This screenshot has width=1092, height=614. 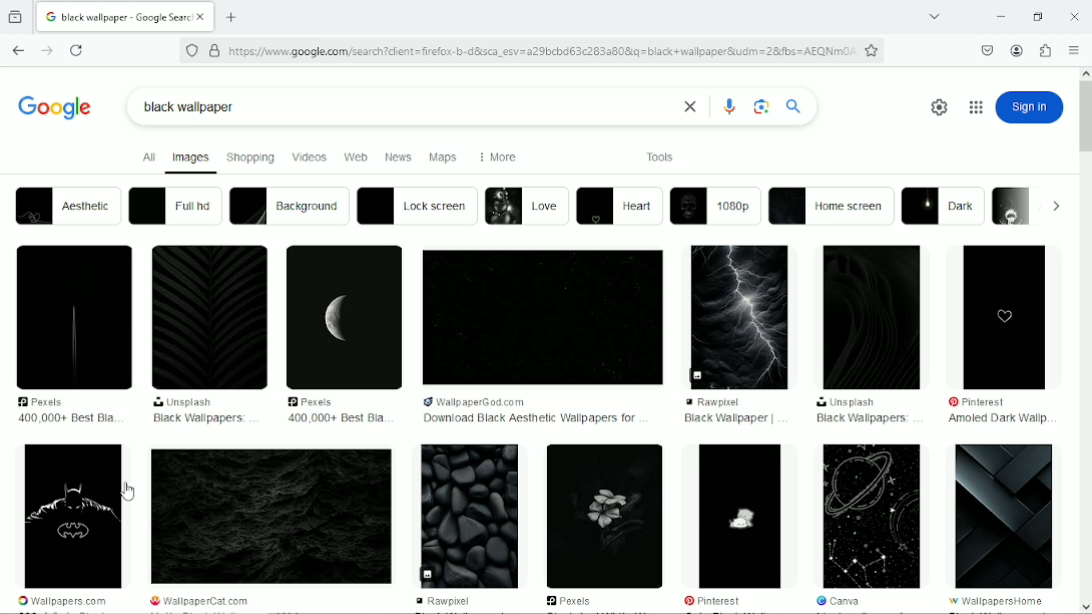 I want to click on close, so click(x=687, y=107).